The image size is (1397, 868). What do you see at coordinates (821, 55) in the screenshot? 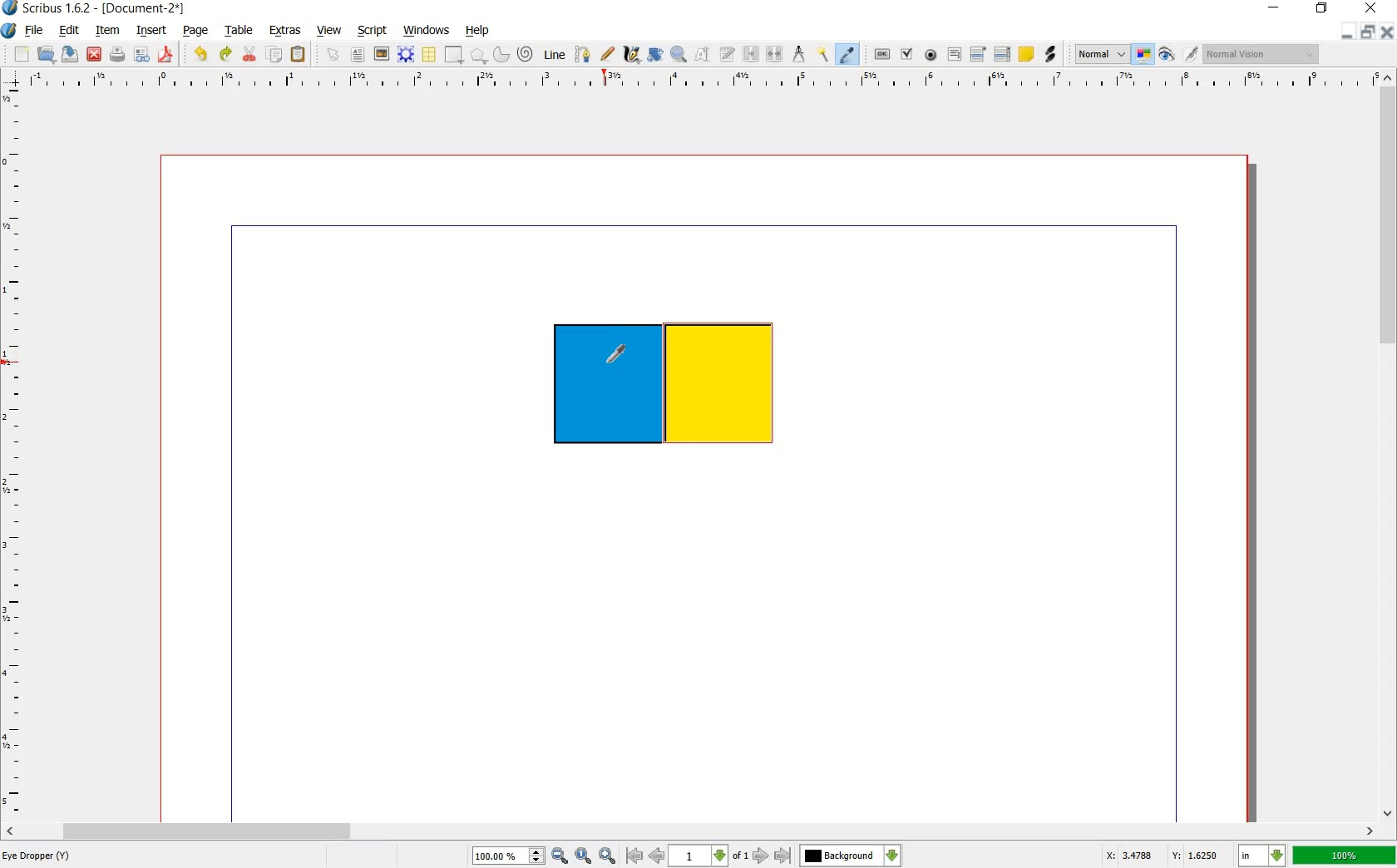
I see `copy item properties` at bounding box center [821, 55].